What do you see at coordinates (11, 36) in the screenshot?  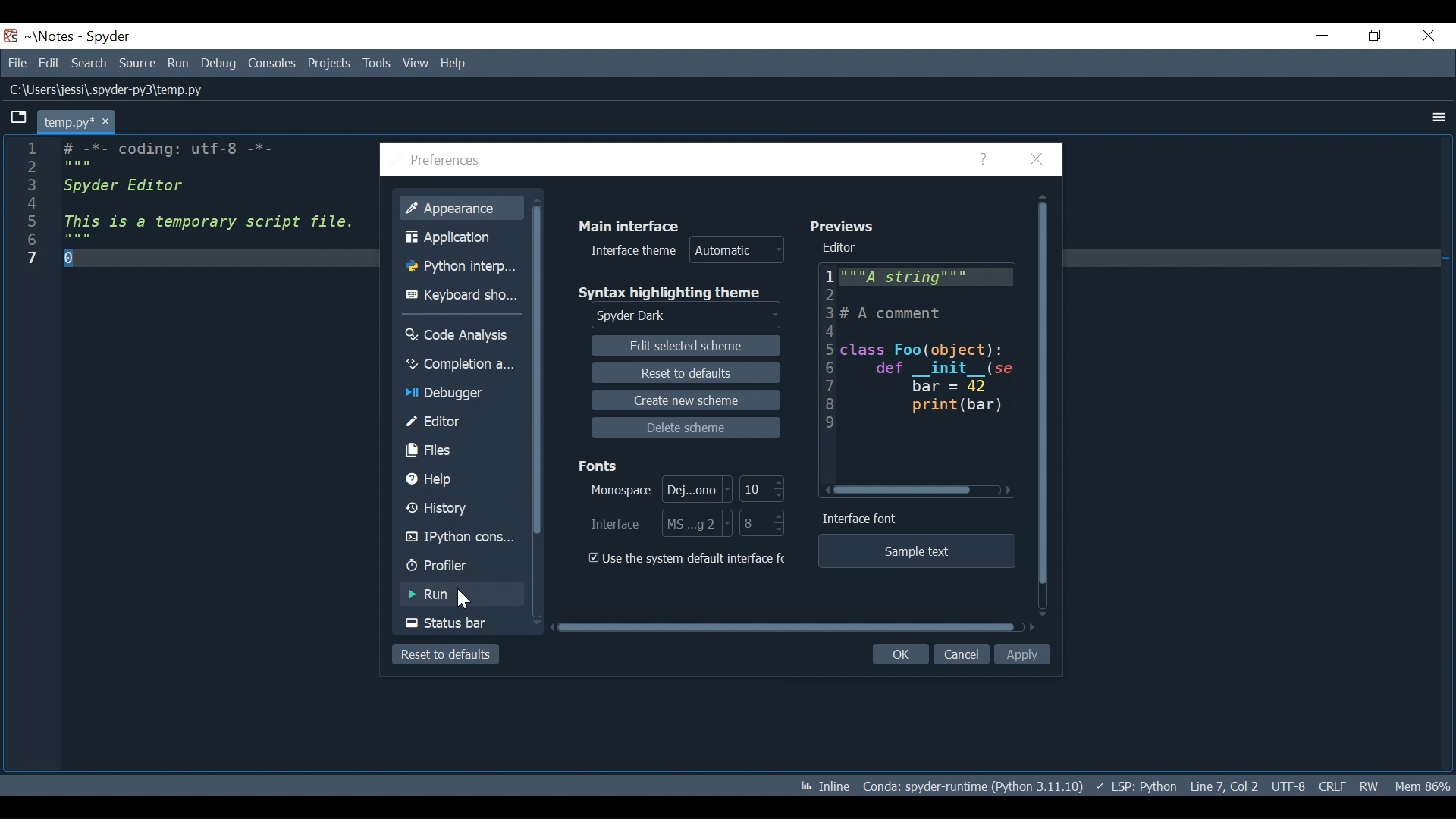 I see `Spyder Desktop Icon` at bounding box center [11, 36].